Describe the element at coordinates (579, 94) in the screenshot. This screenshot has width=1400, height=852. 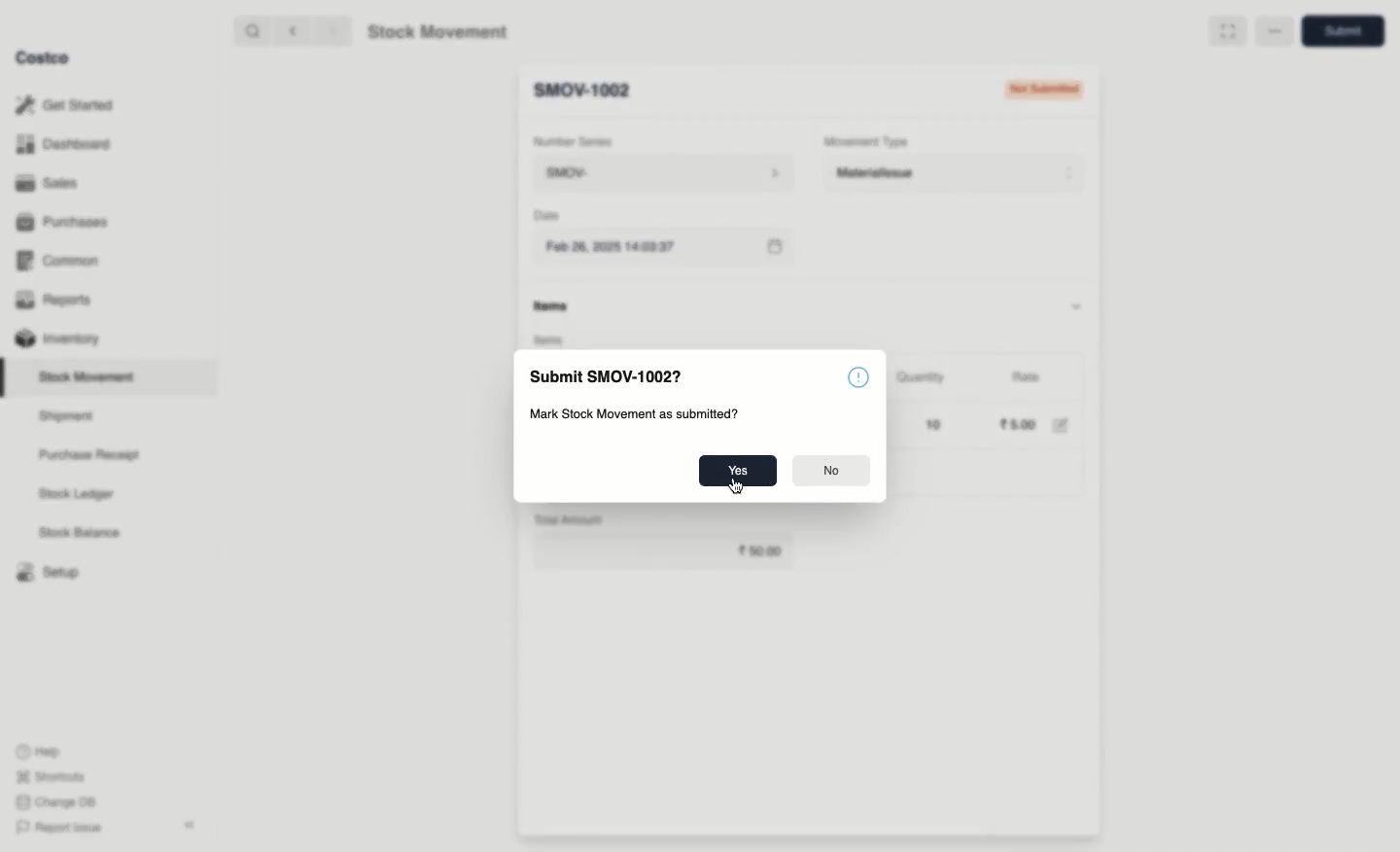
I see `New Entry` at that location.